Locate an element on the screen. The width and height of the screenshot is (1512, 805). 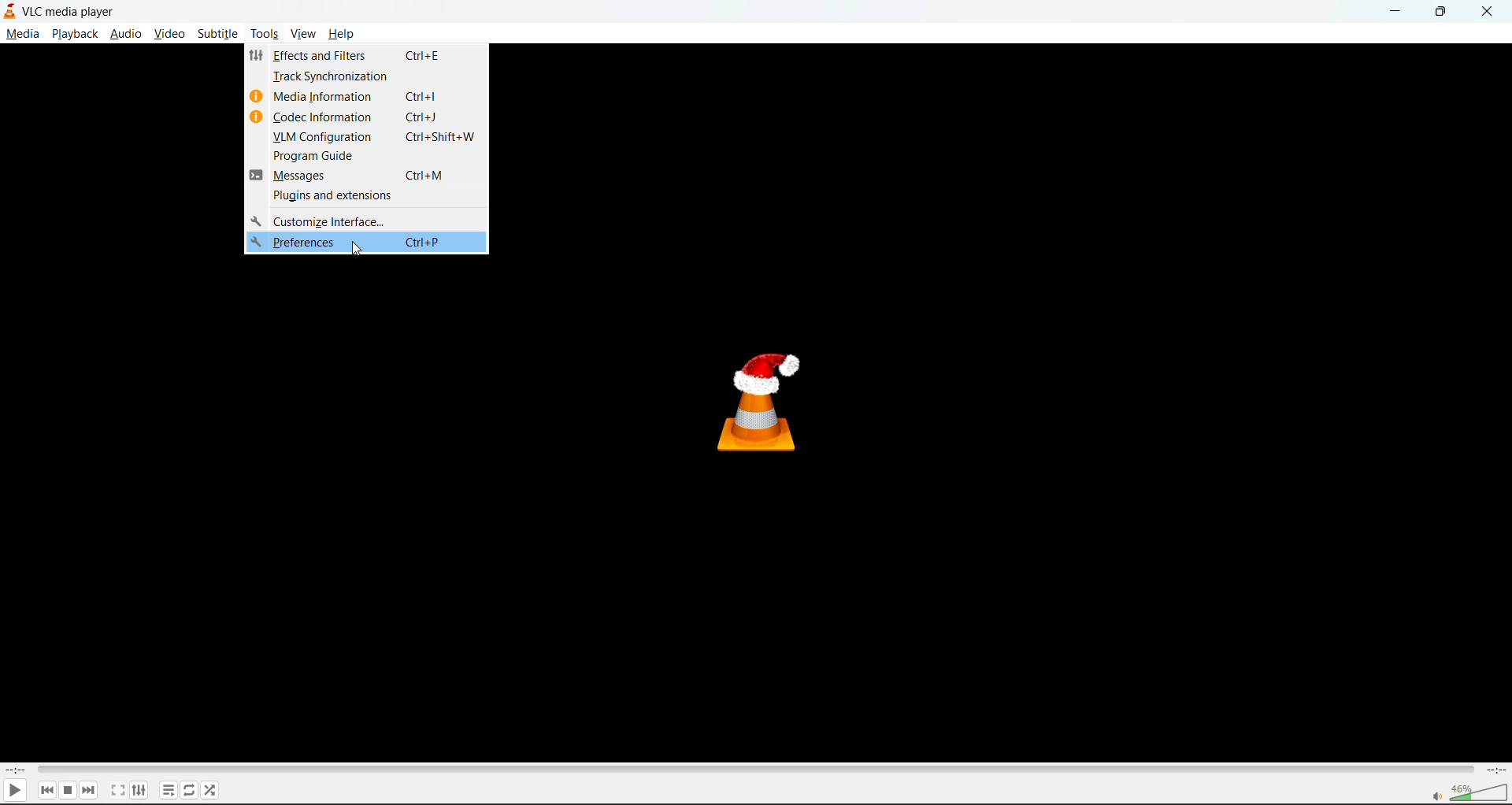
maximize is located at coordinates (1441, 10).